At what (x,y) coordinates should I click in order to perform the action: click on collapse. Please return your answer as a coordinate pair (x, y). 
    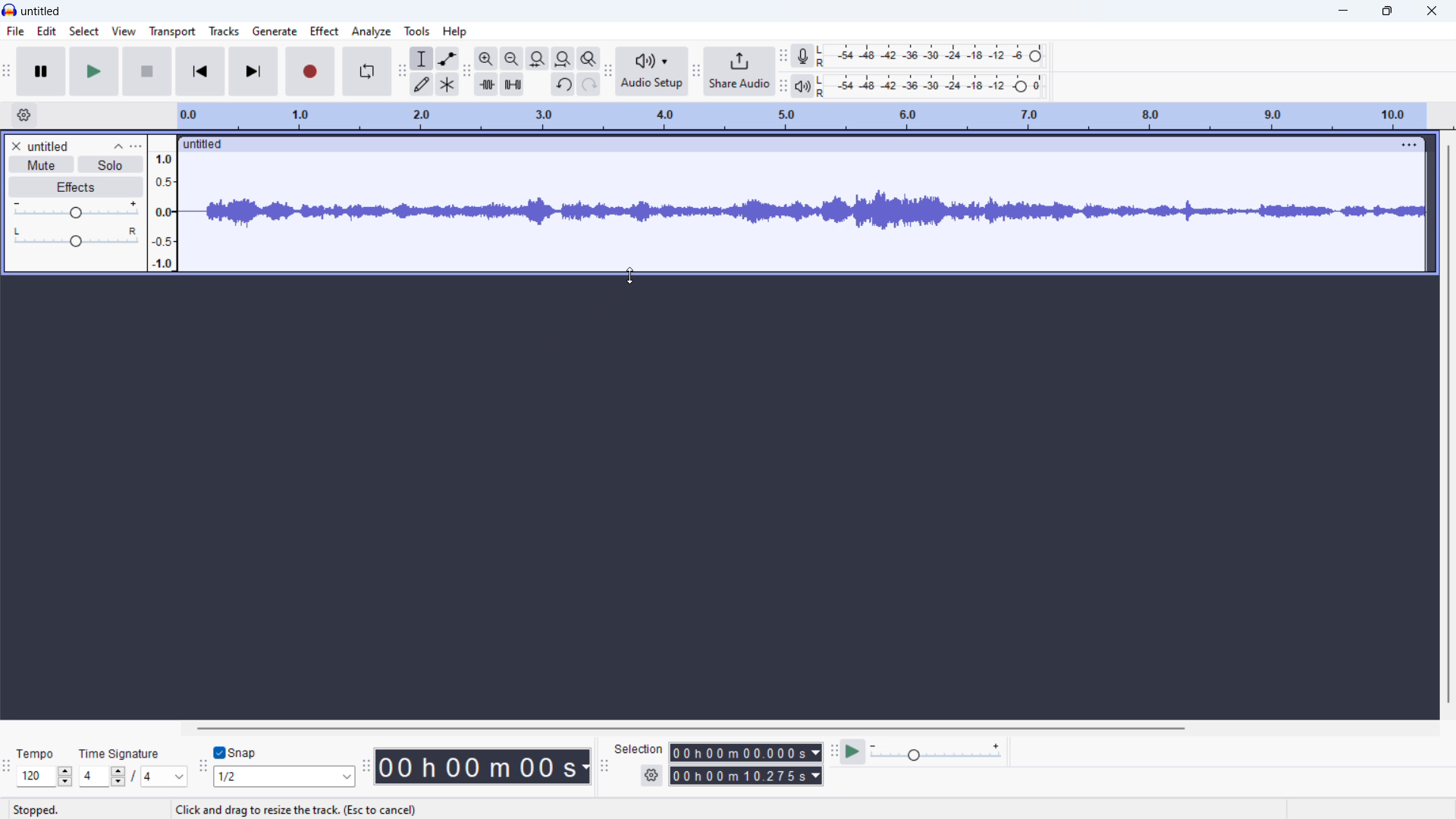
    Looking at the image, I should click on (122, 145).